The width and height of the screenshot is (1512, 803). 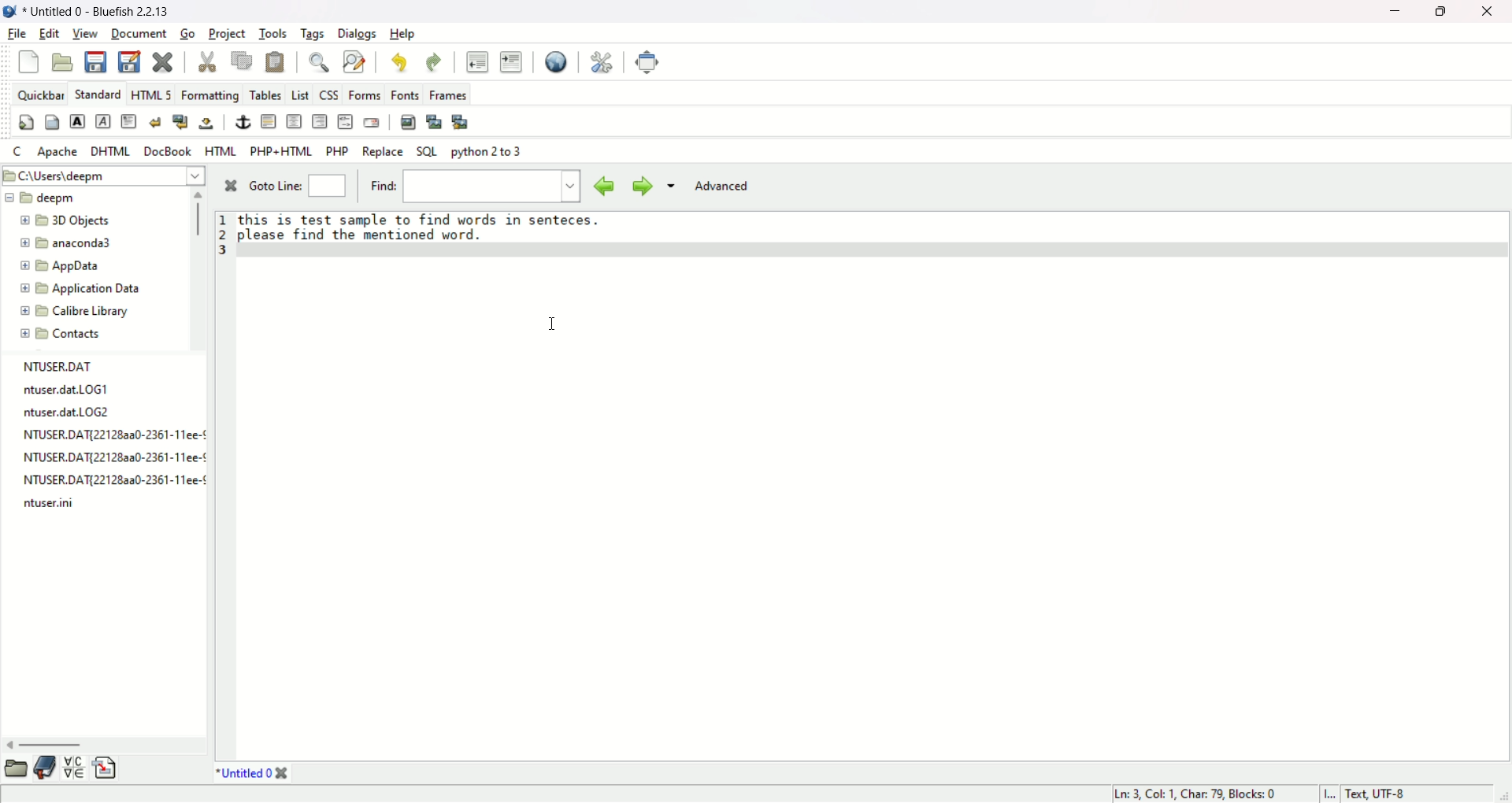 What do you see at coordinates (28, 121) in the screenshot?
I see `quickstart` at bounding box center [28, 121].